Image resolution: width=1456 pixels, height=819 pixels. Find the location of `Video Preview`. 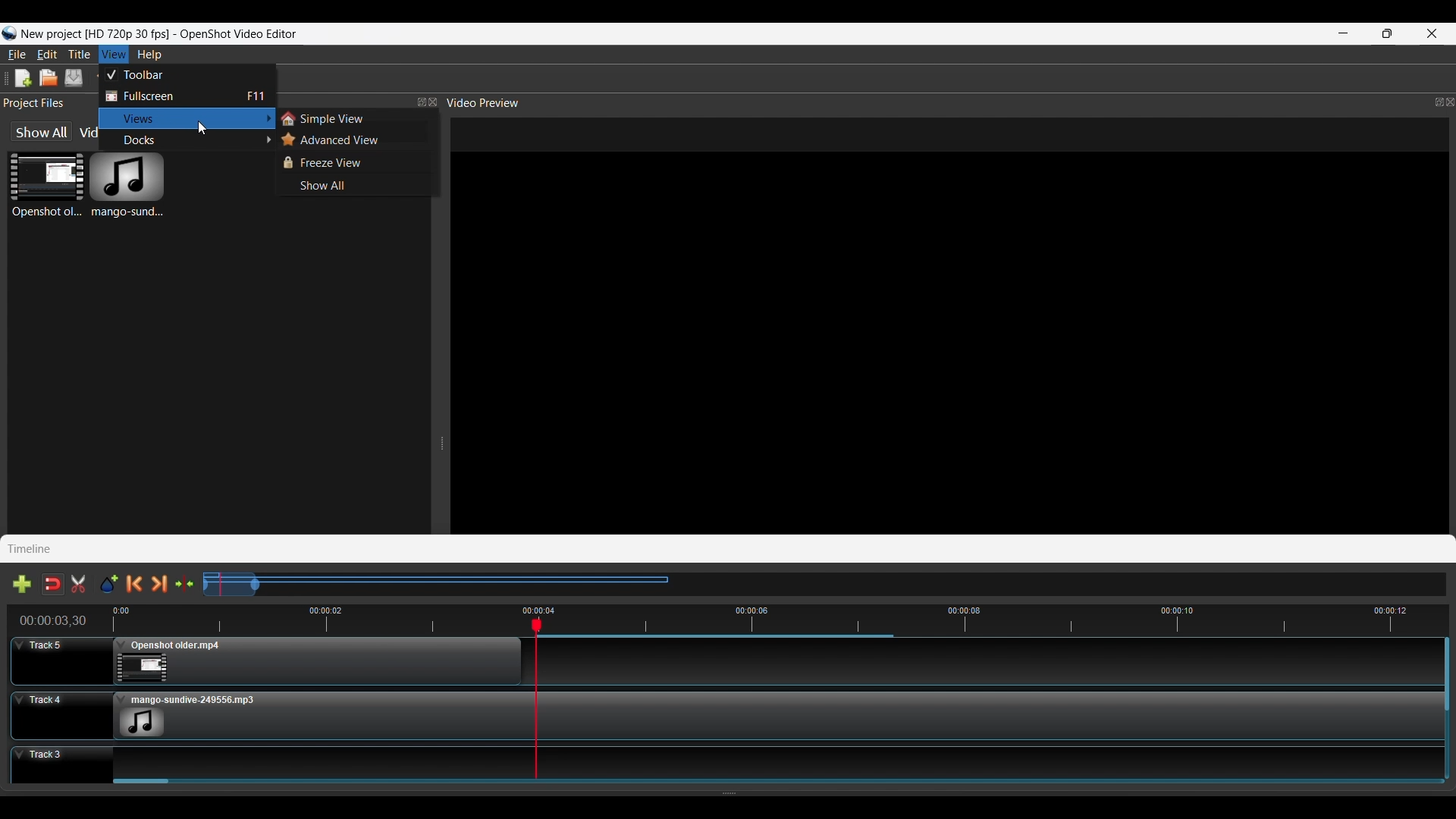

Video Preview is located at coordinates (483, 102).